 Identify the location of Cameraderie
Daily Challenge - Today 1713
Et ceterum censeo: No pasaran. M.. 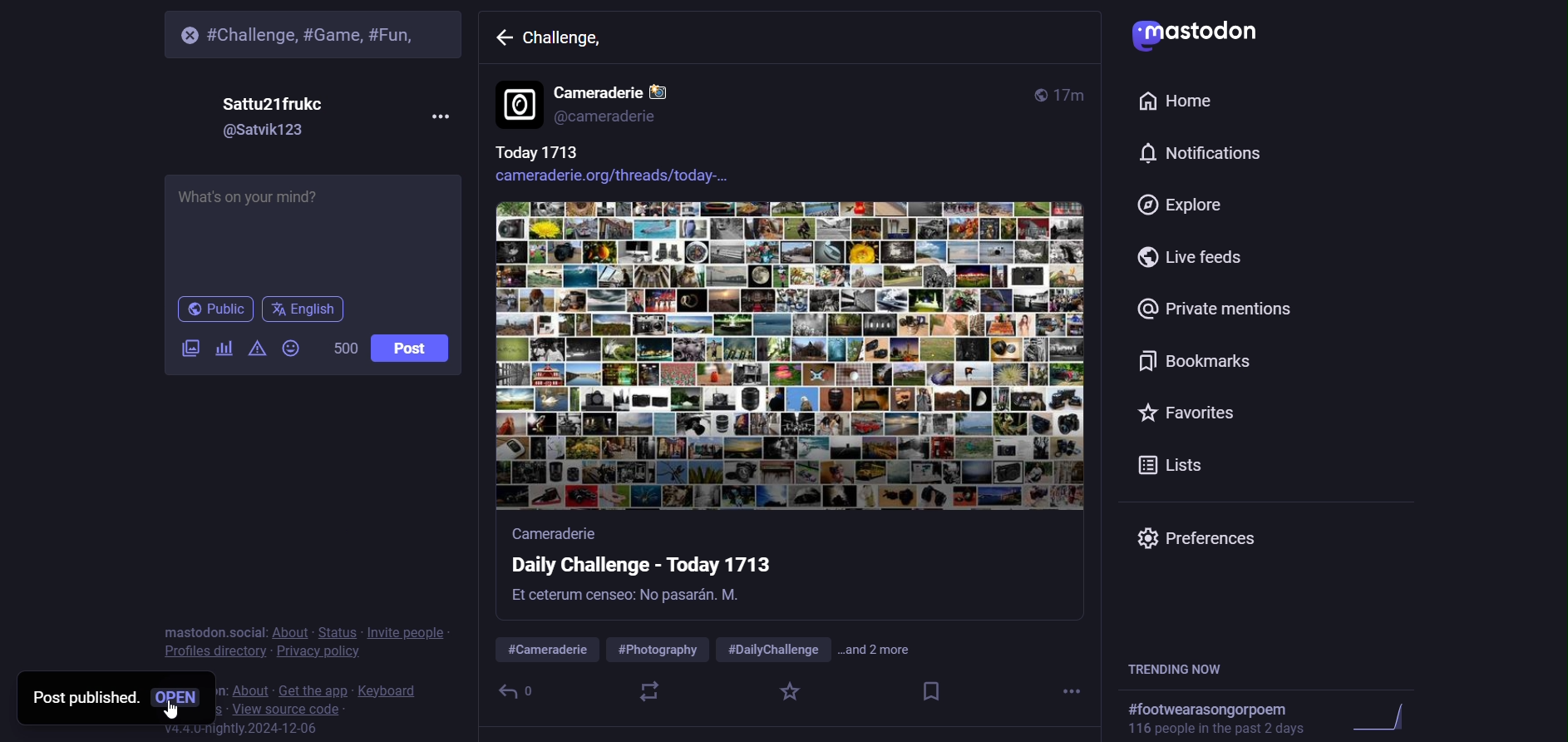
(674, 570).